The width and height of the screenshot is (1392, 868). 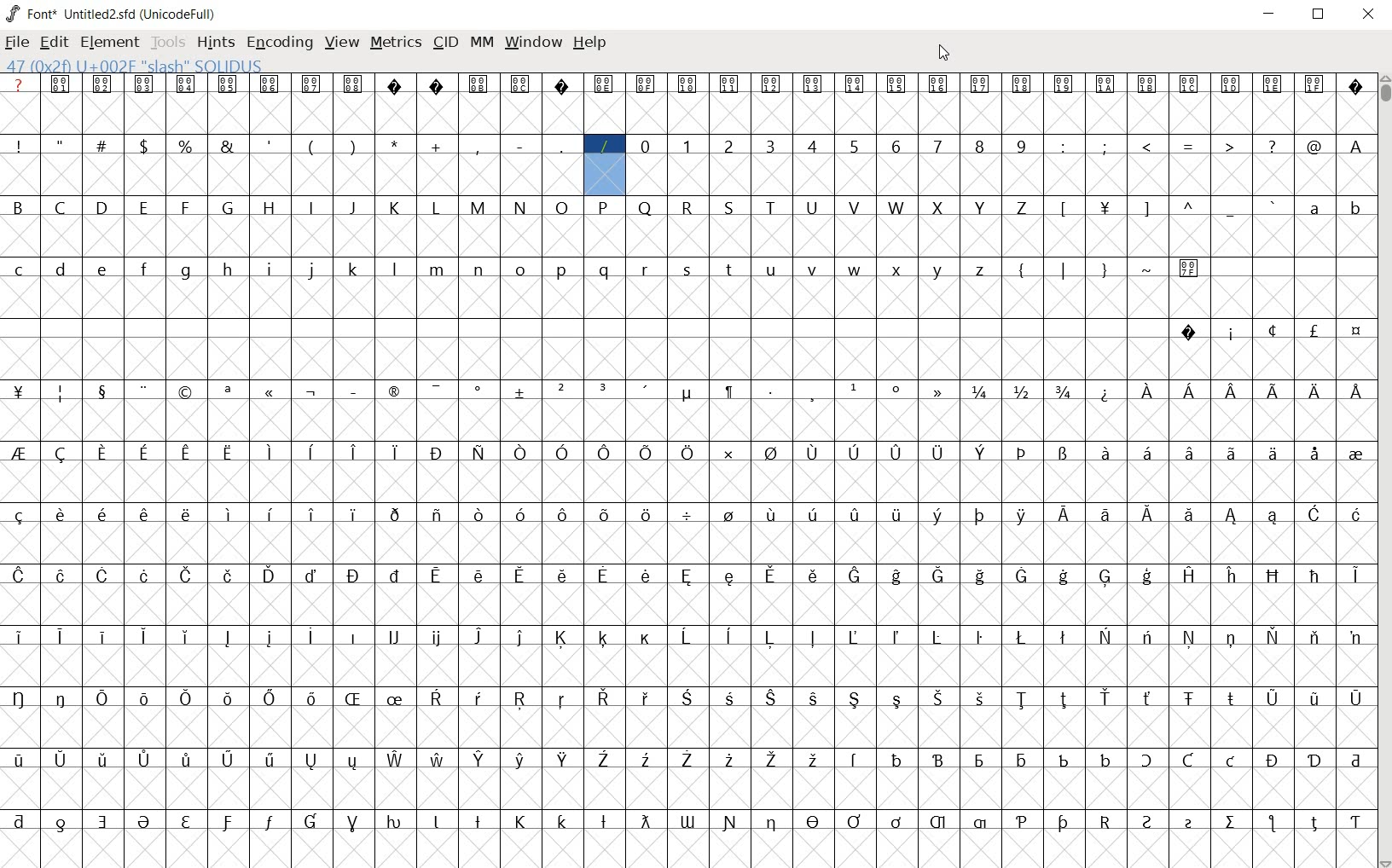 What do you see at coordinates (1273, 330) in the screenshot?
I see `glyph` at bounding box center [1273, 330].